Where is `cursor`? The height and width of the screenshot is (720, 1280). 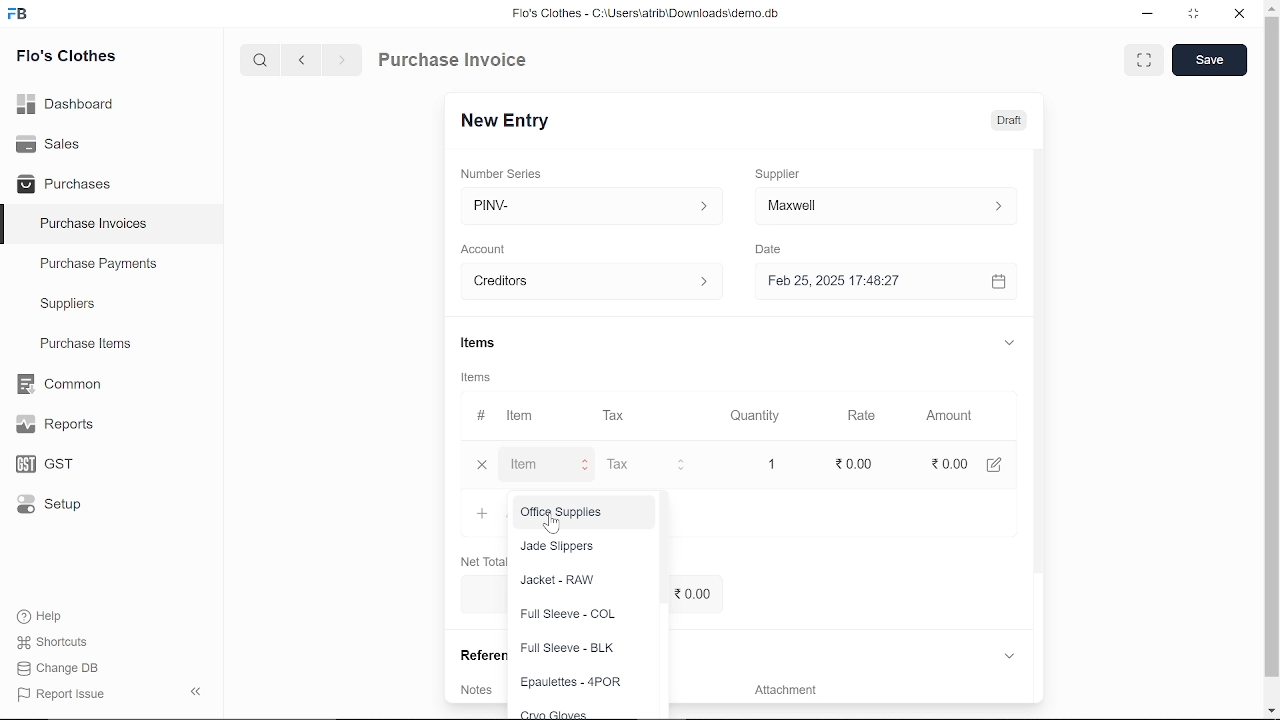
cursor is located at coordinates (555, 526).